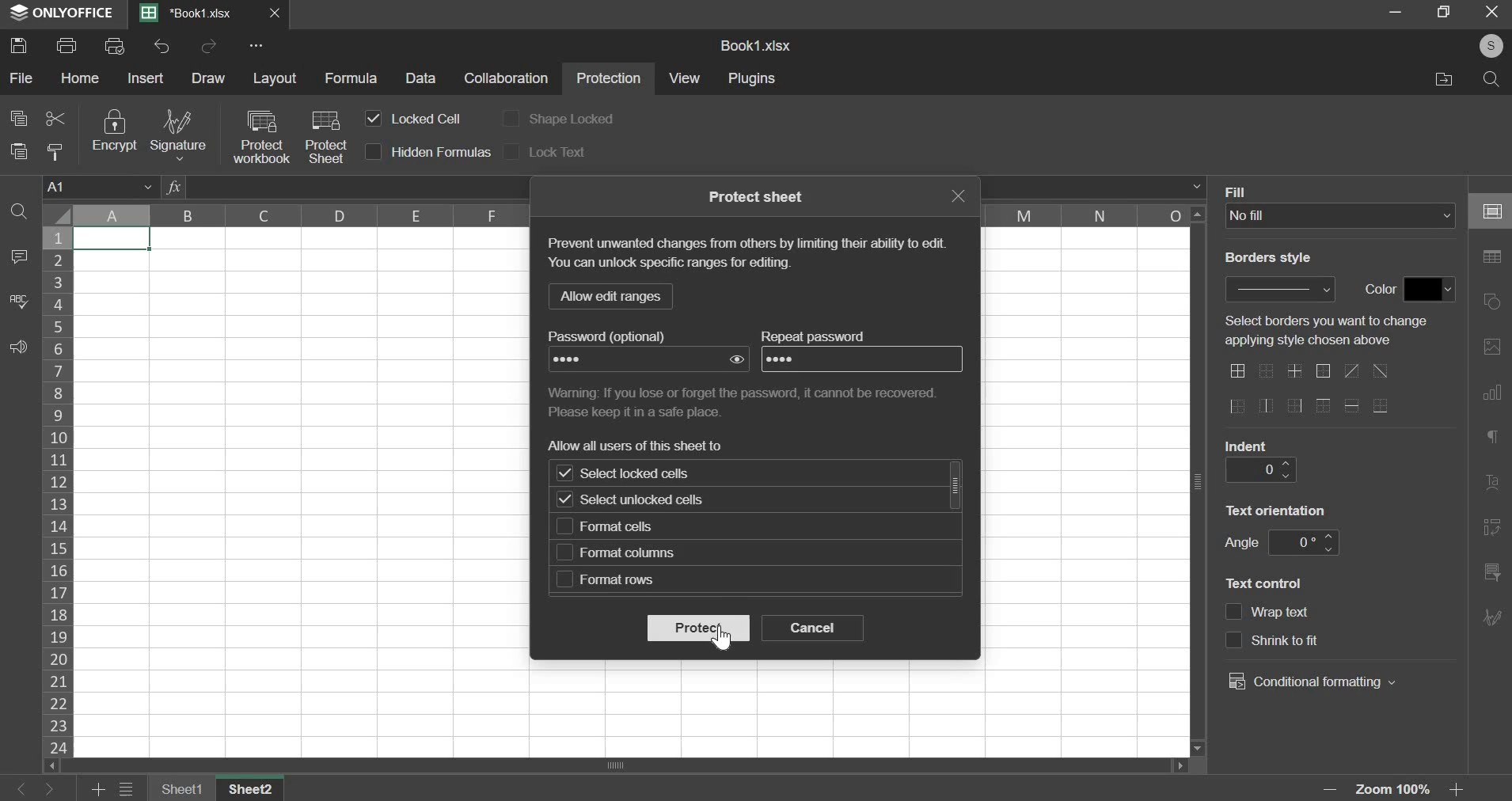 This screenshot has height=801, width=1512. I want to click on cut, so click(55, 116).